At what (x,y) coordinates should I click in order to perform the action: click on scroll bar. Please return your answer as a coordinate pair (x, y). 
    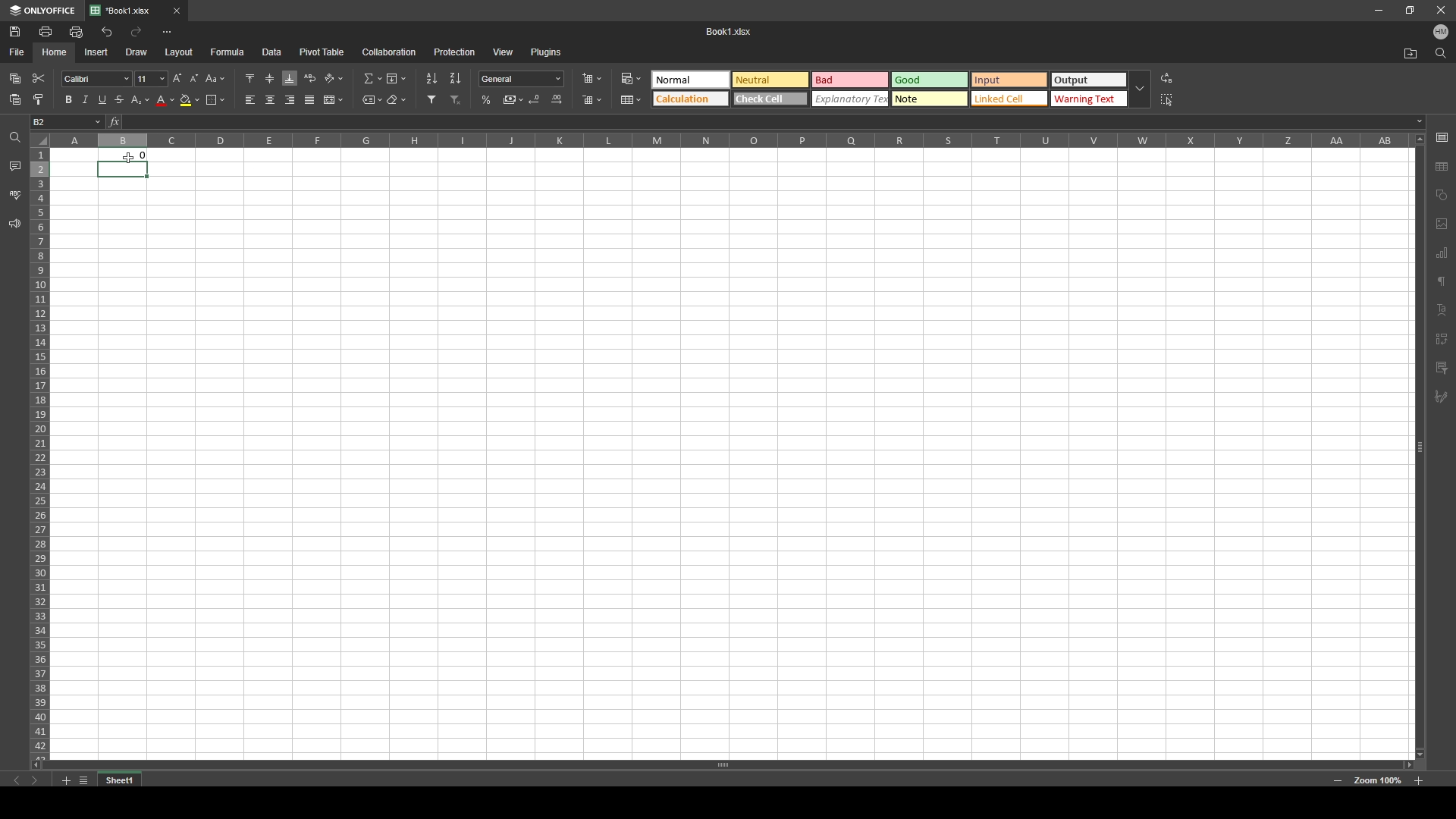
    Looking at the image, I should click on (1418, 444).